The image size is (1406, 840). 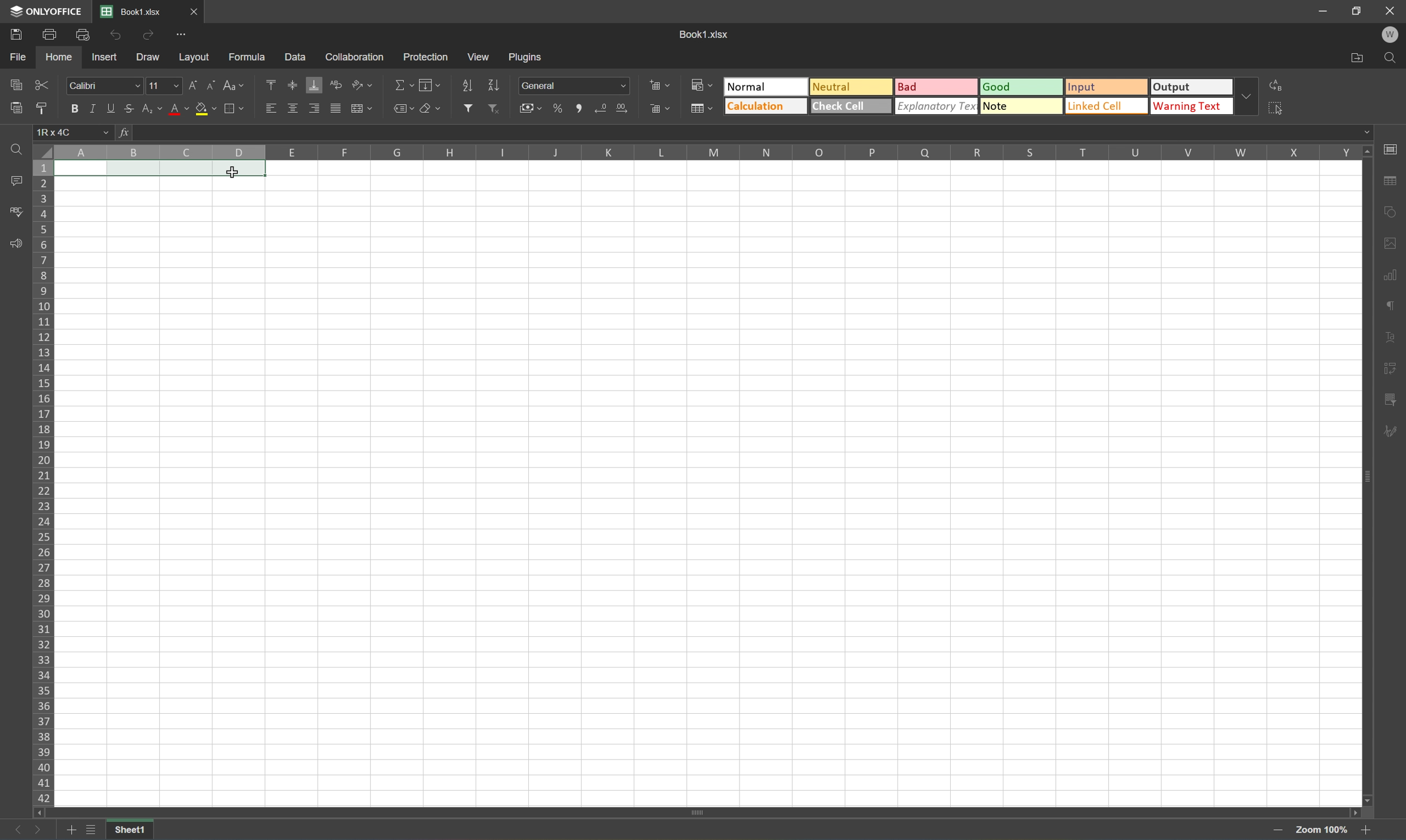 I want to click on Scroll right, so click(x=1352, y=810).